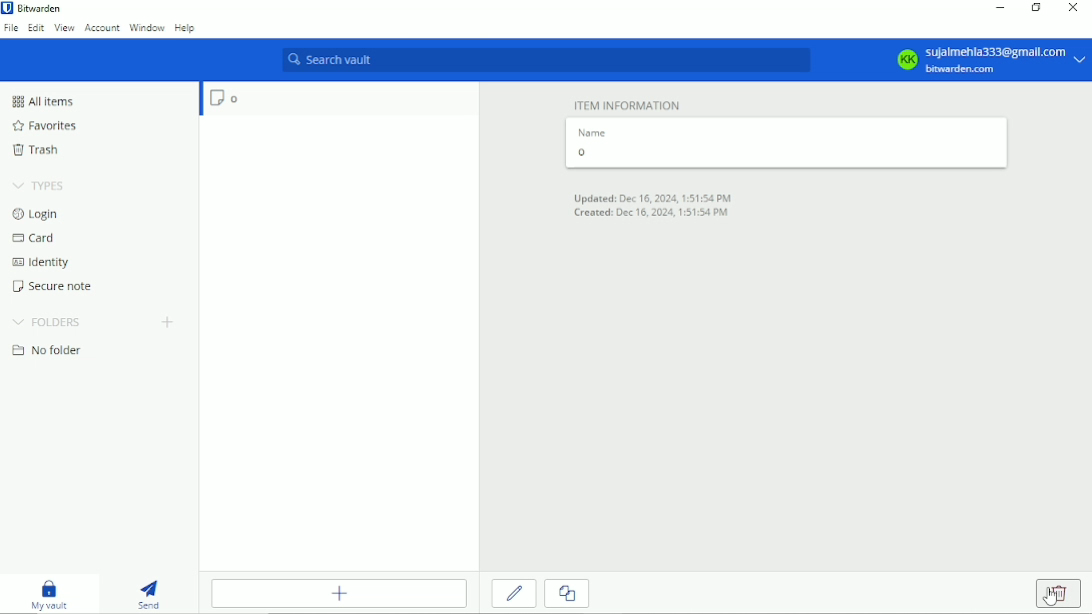  Describe the element at coordinates (169, 322) in the screenshot. I see `Create folder` at that location.